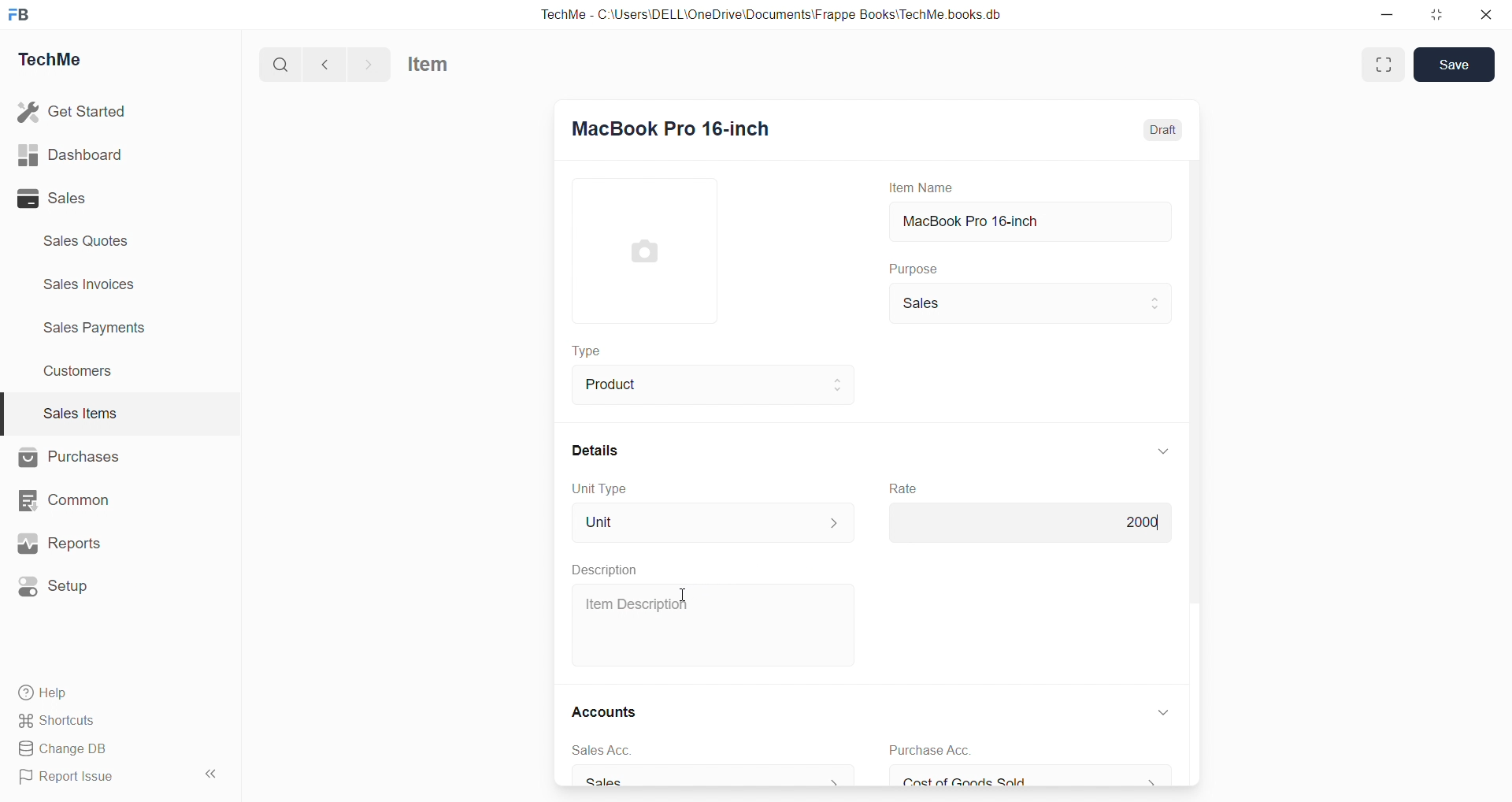 The height and width of the screenshot is (802, 1512). I want to click on Type, so click(585, 350).